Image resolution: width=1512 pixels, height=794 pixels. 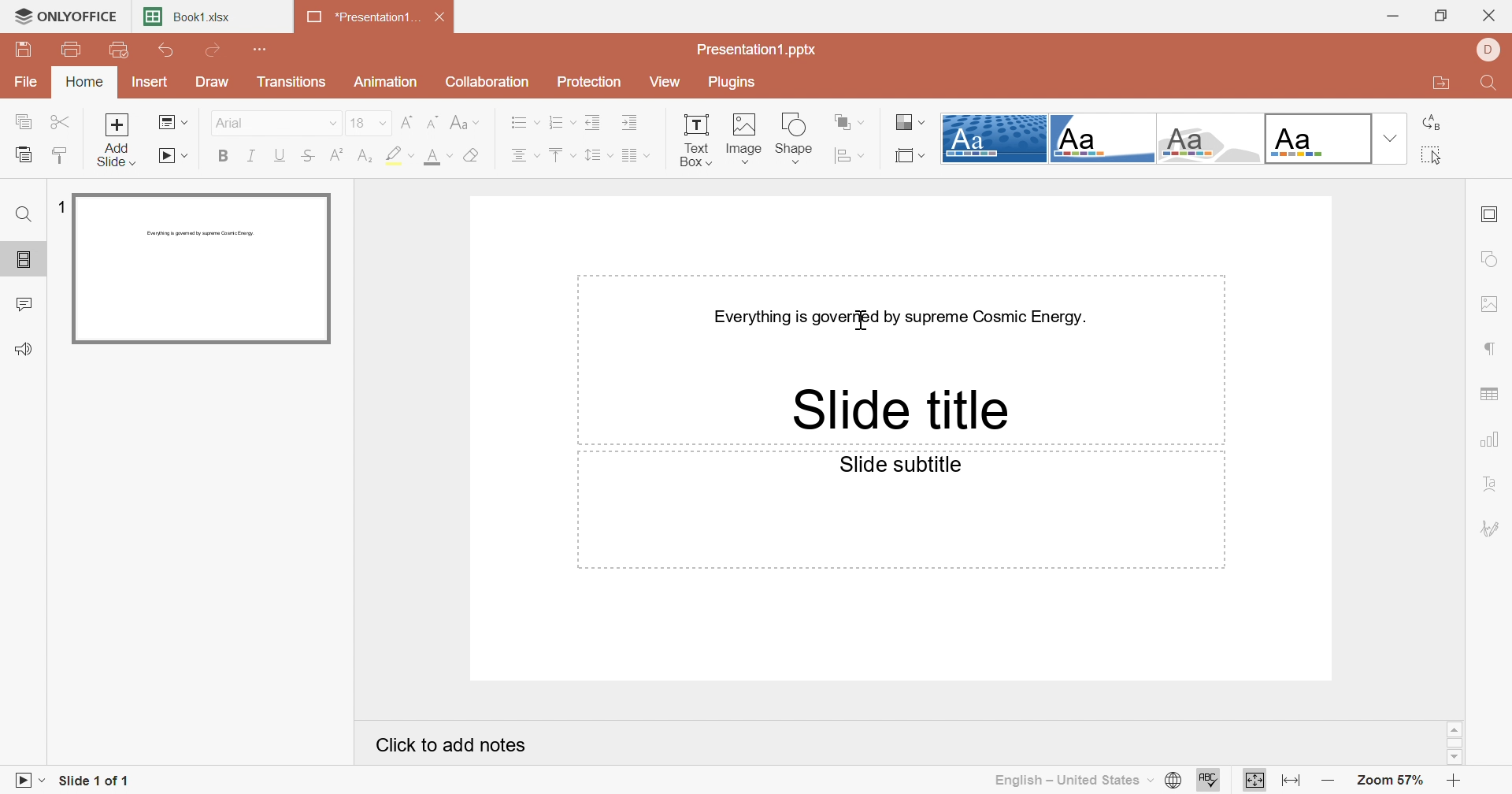 I want to click on Bullets, so click(x=524, y=121).